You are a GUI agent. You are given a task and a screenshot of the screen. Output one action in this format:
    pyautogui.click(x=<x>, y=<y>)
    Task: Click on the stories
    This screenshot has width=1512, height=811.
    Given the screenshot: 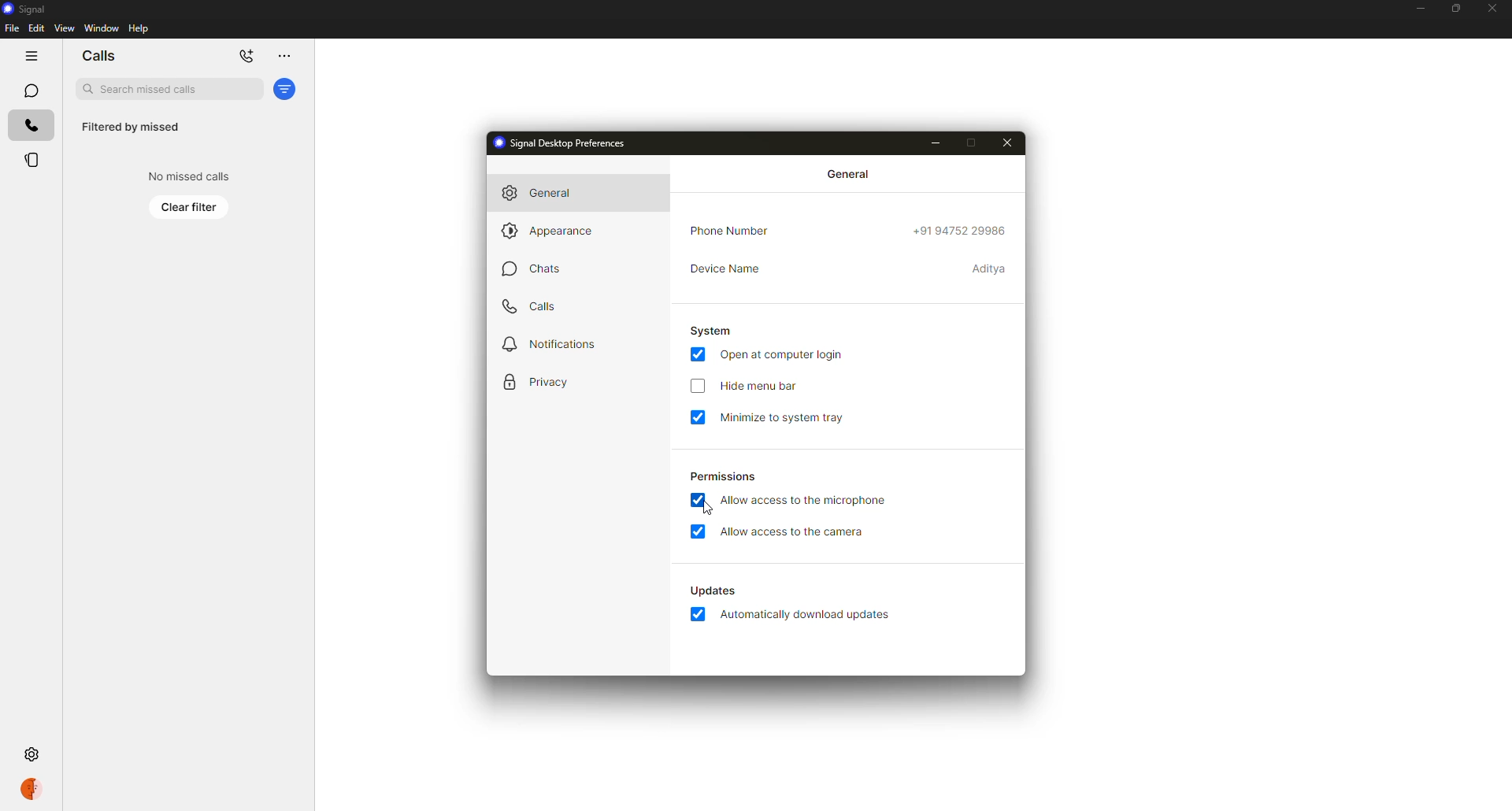 What is the action you would take?
    pyautogui.click(x=33, y=160)
    